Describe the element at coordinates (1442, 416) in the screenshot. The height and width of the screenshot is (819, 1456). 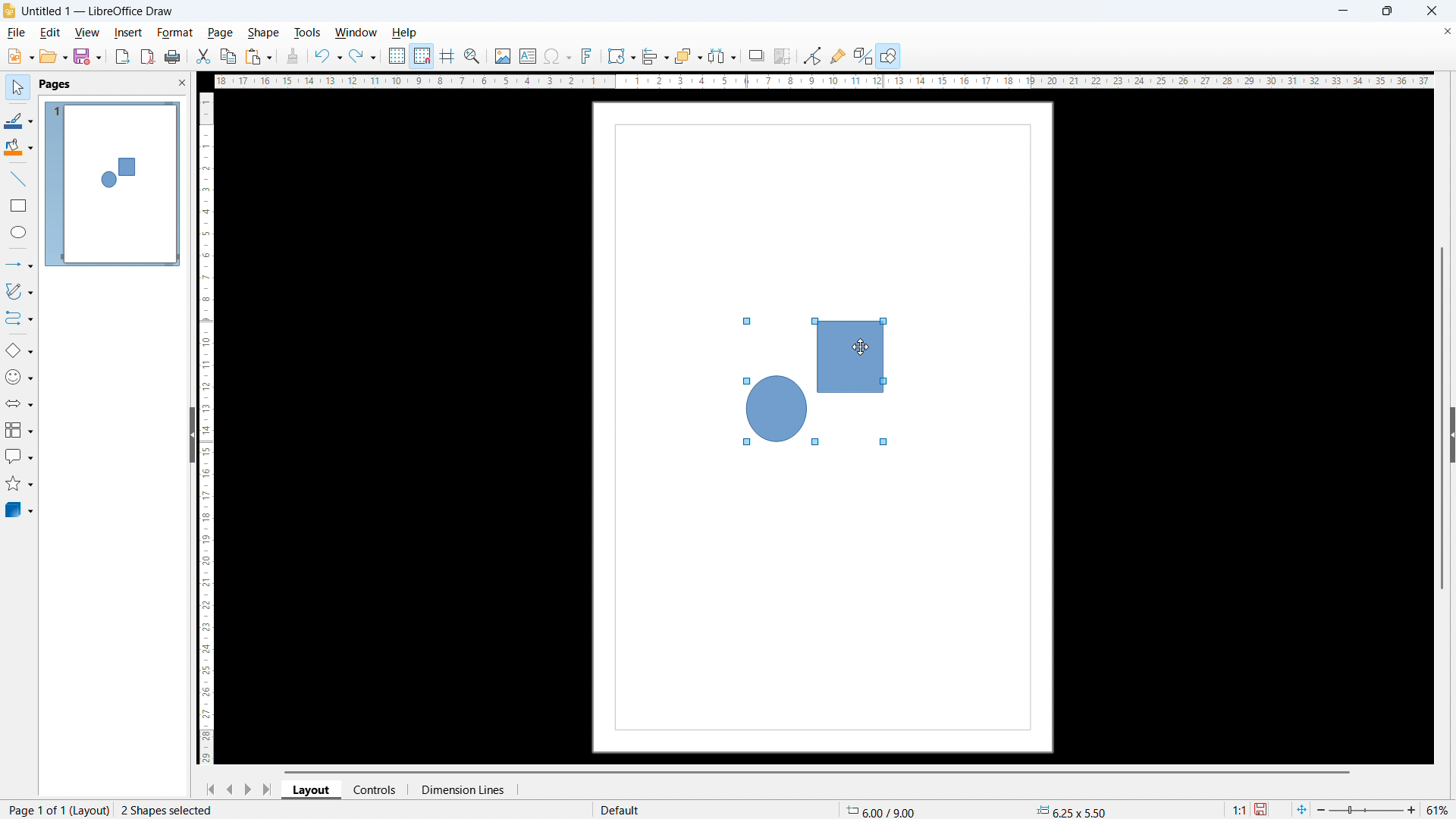
I see `vertical scrollbar` at that location.